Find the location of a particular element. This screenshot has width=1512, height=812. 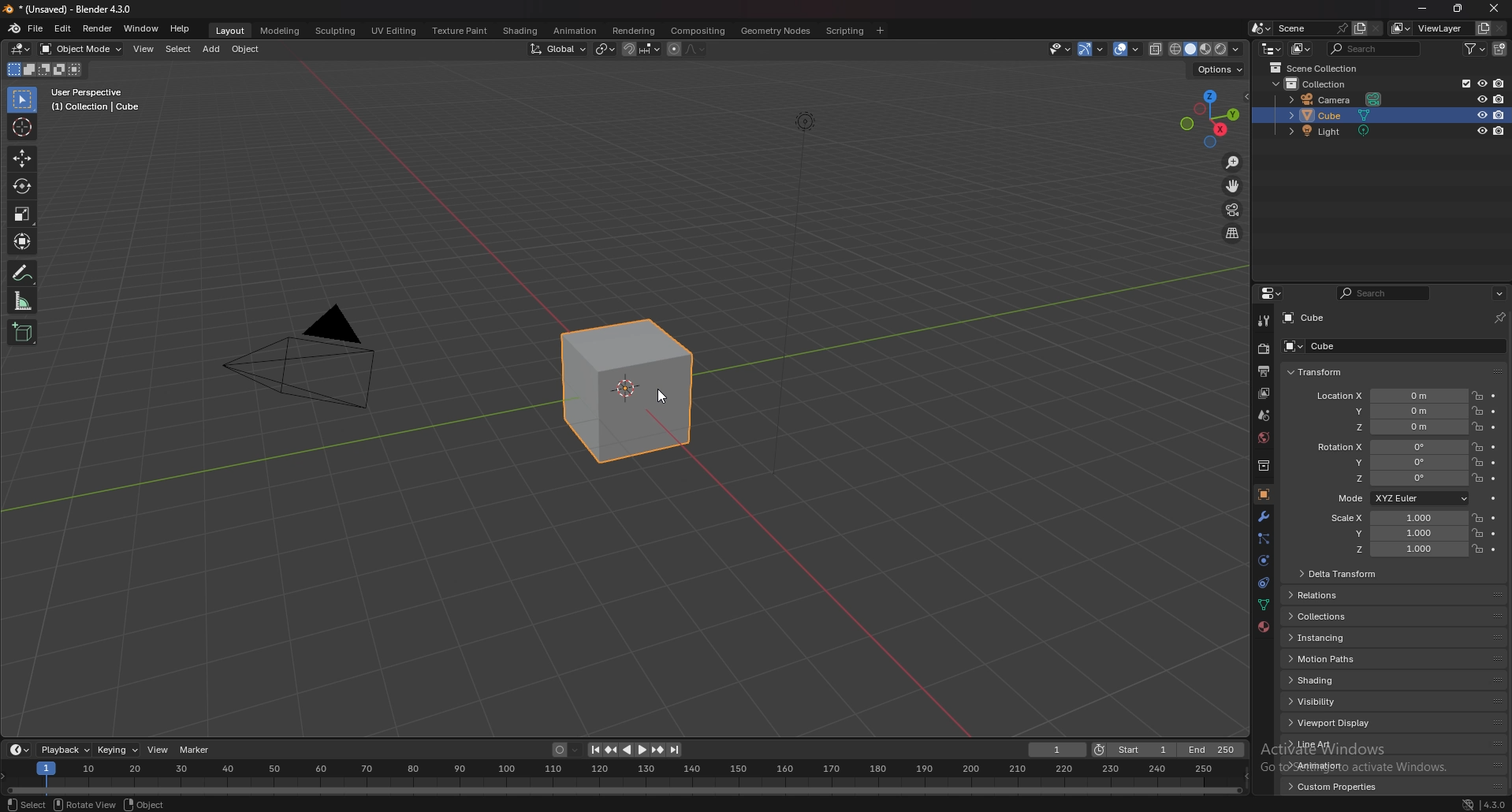

location z is located at coordinates (1393, 426).